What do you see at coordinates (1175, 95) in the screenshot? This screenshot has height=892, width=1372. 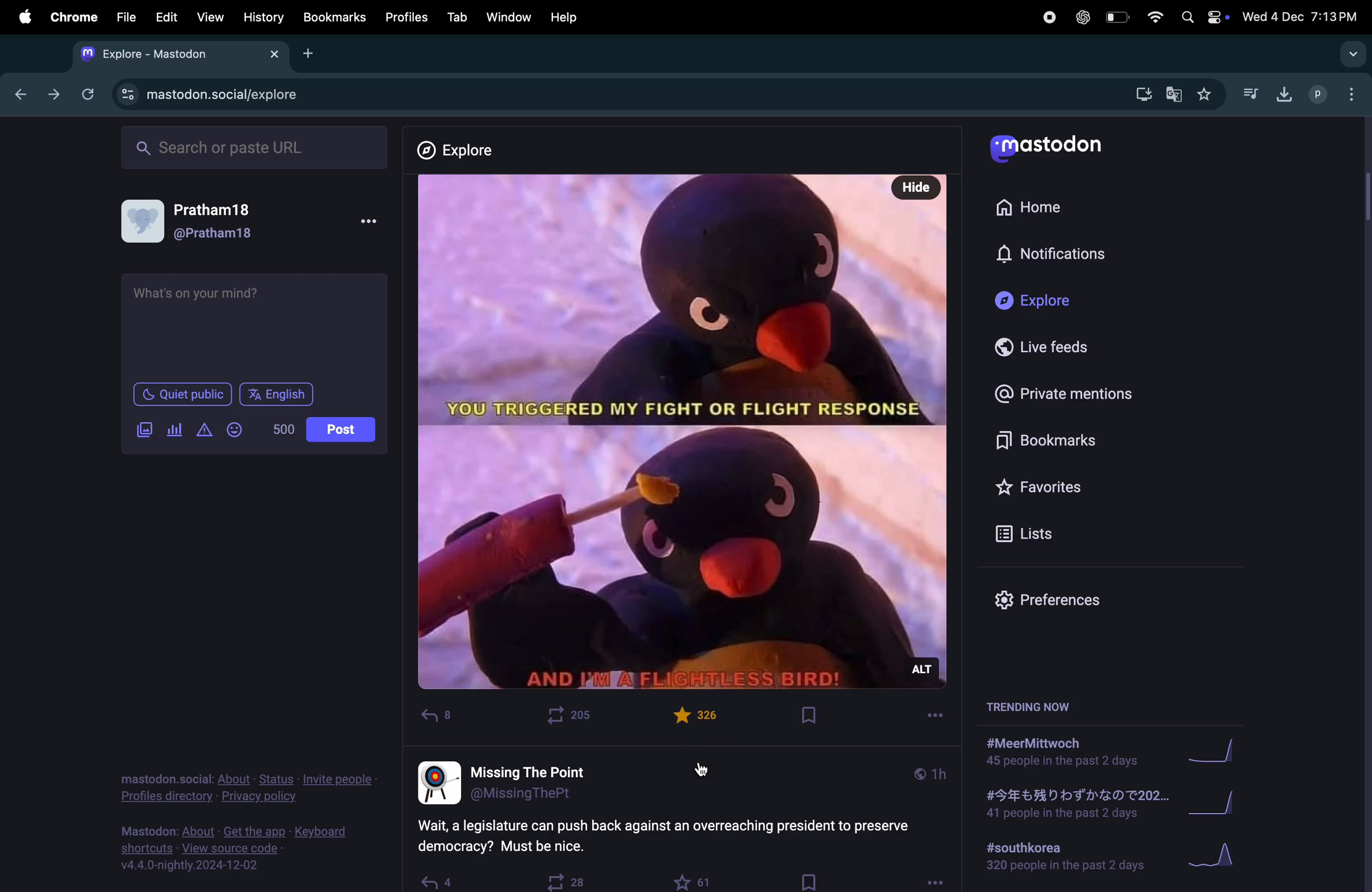 I see `translate` at bounding box center [1175, 95].